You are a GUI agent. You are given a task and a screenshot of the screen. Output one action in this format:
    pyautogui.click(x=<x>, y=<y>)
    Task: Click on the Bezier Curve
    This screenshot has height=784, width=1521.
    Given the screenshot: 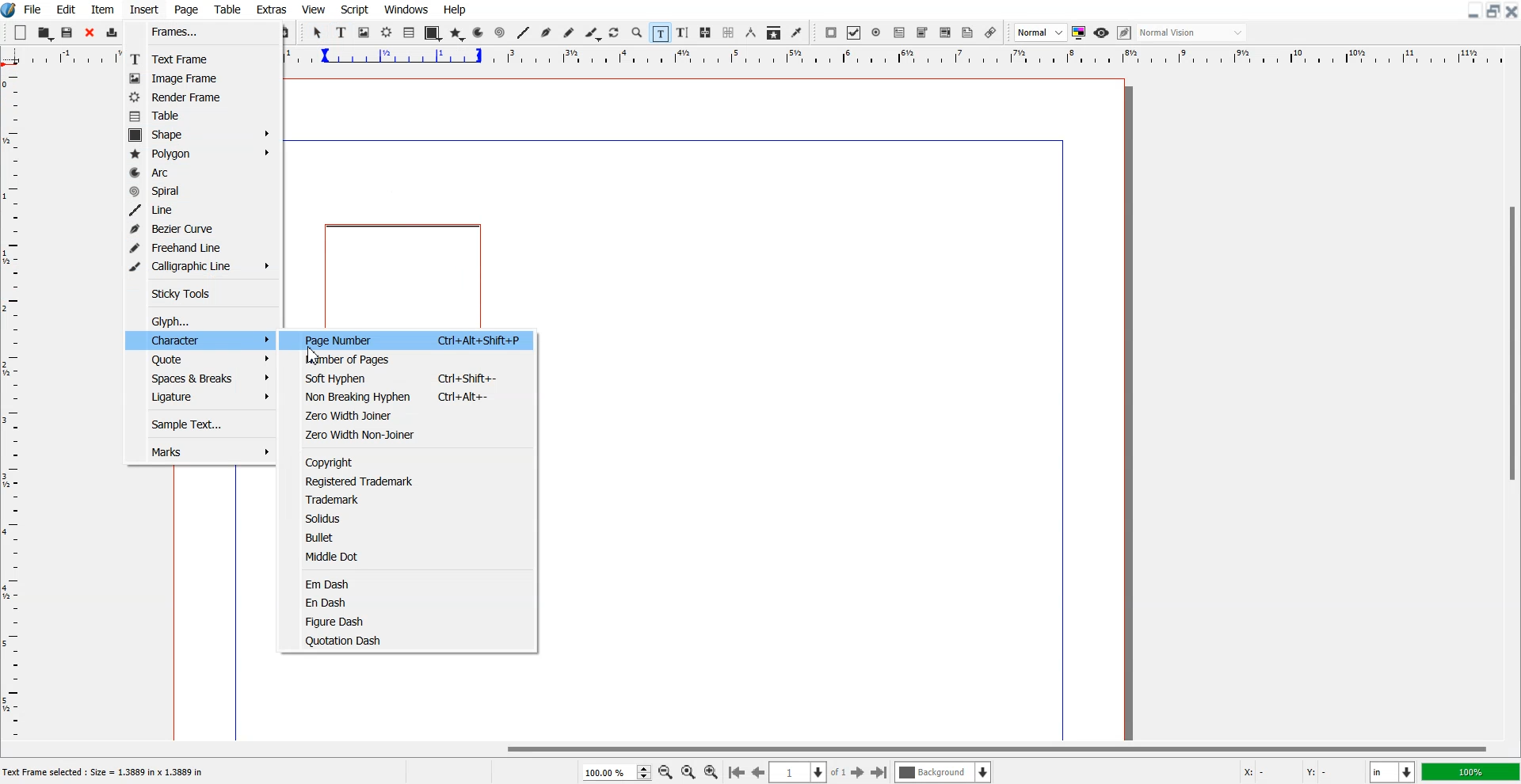 What is the action you would take?
    pyautogui.click(x=199, y=227)
    